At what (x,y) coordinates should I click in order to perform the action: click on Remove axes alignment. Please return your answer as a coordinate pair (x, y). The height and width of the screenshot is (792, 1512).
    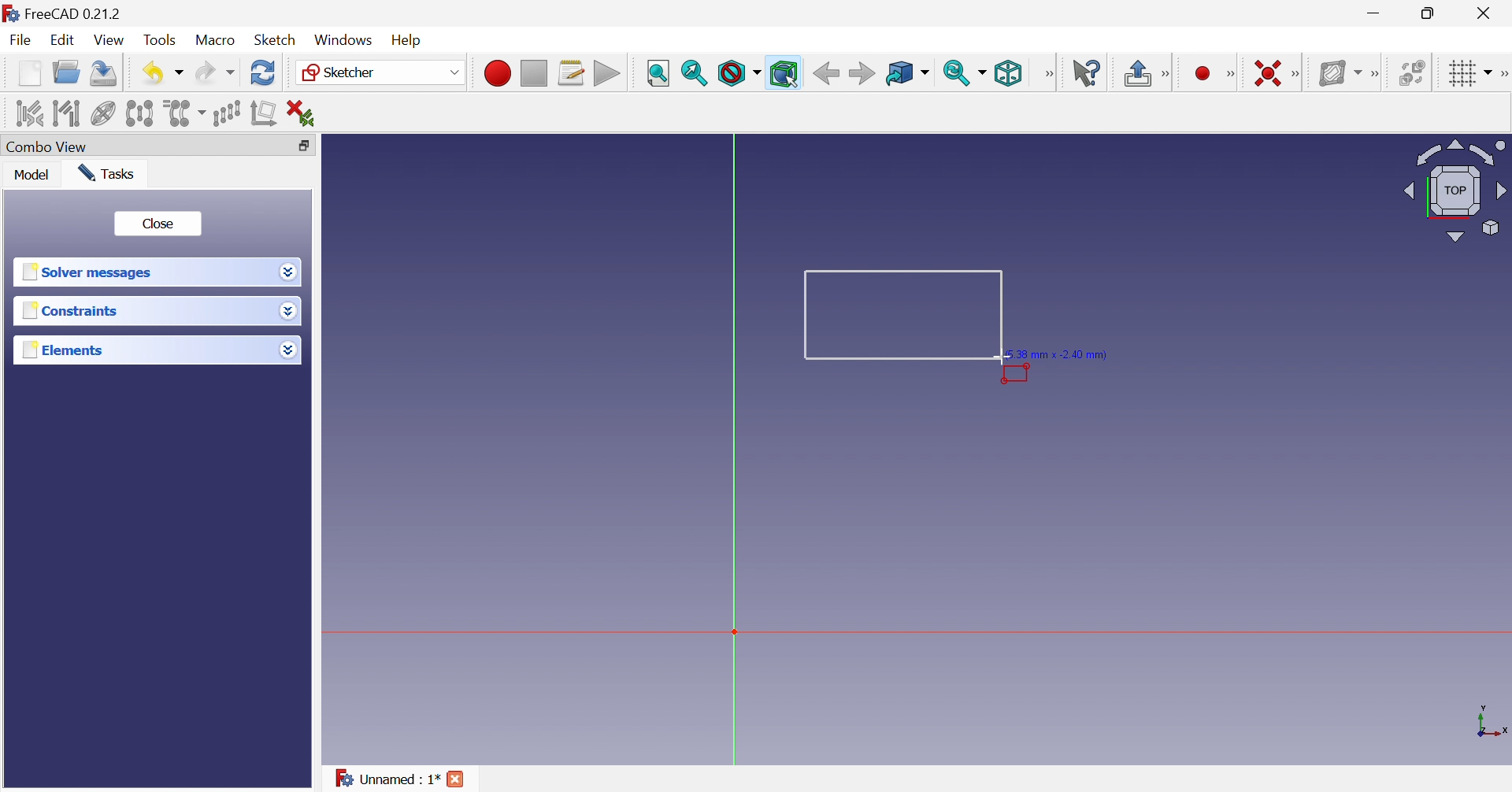
    Looking at the image, I should click on (264, 115).